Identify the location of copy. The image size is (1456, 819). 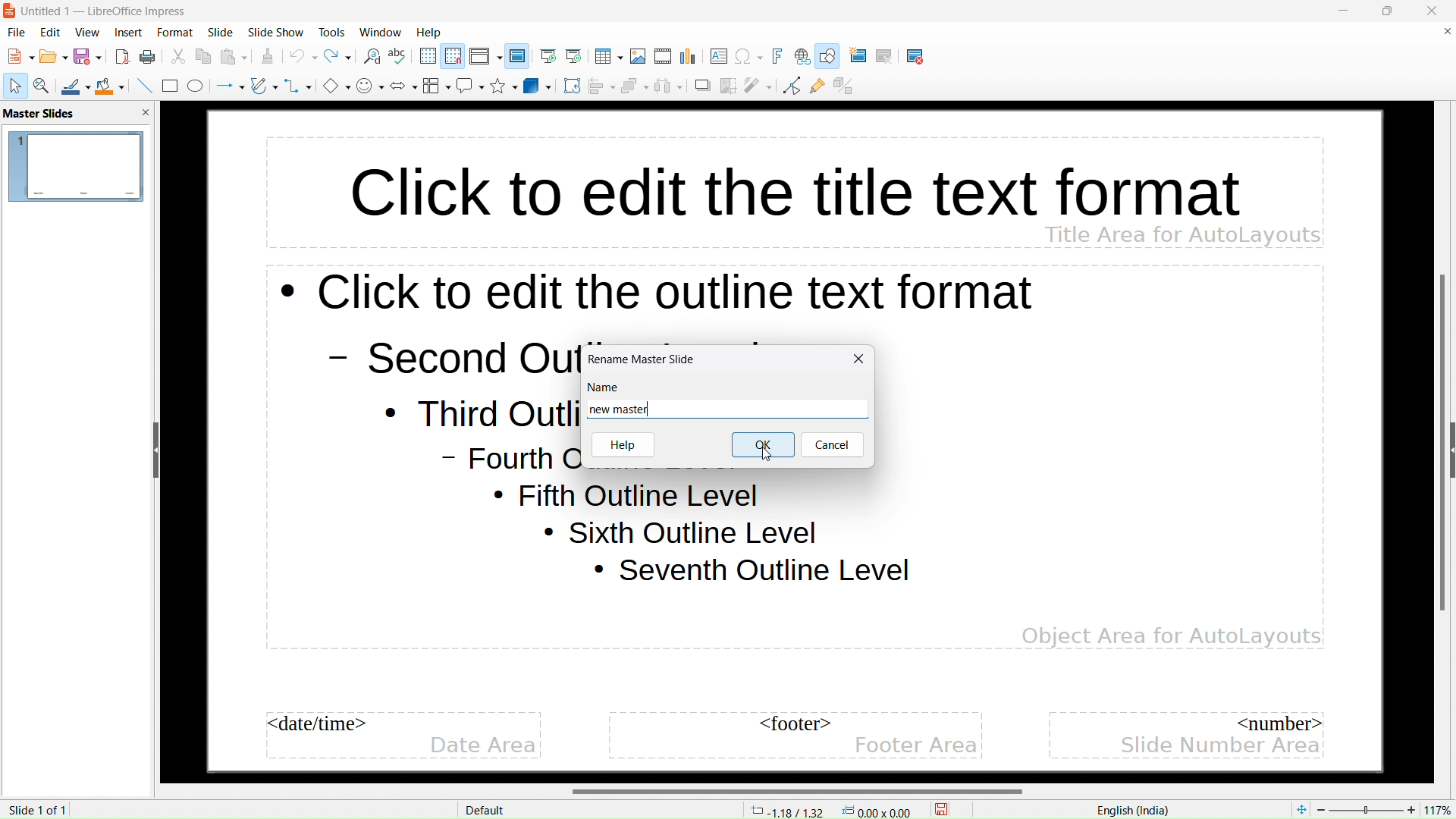
(203, 57).